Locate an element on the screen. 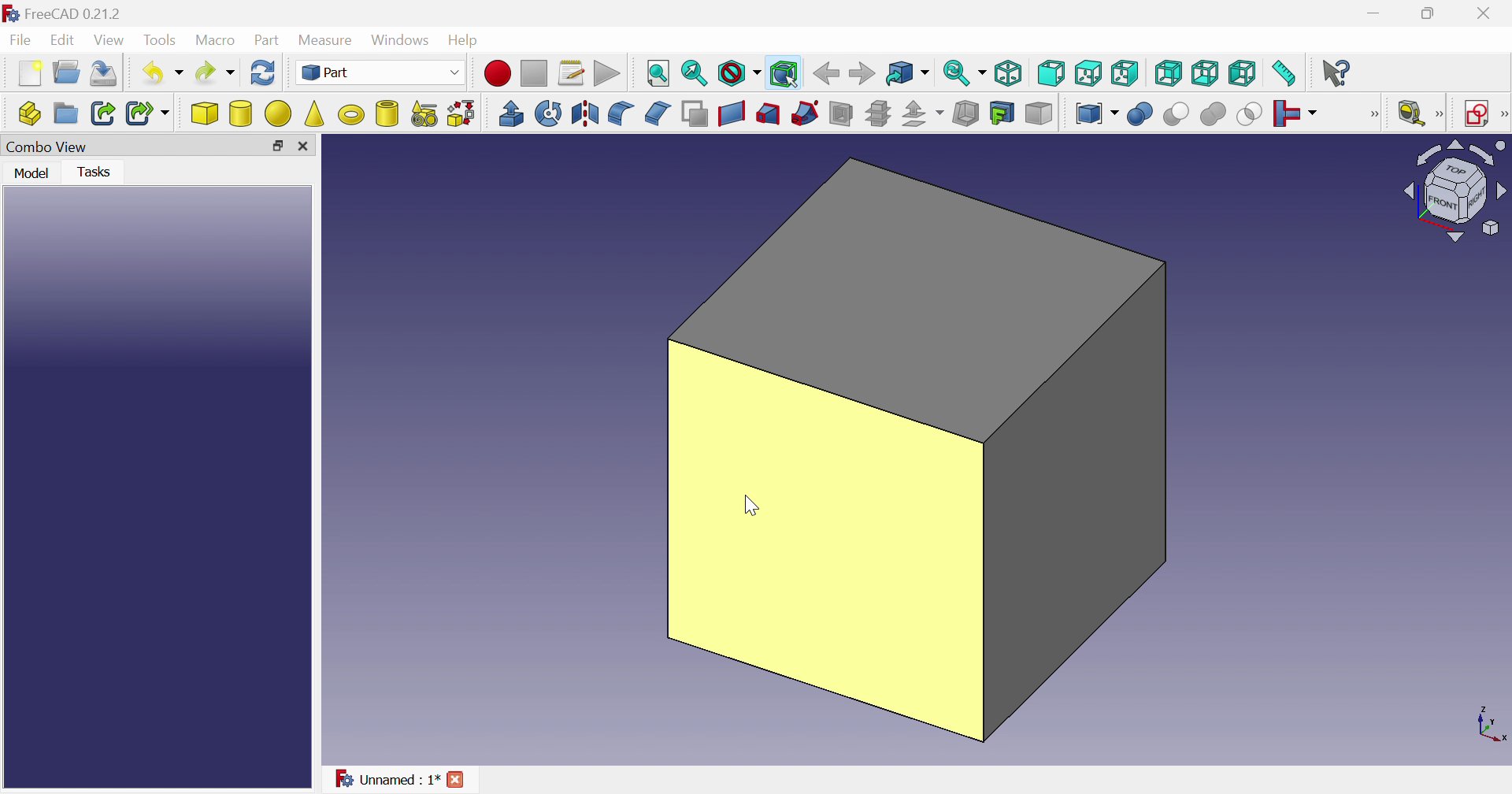 The width and height of the screenshot is (1512, 794). Save is located at coordinates (105, 74).